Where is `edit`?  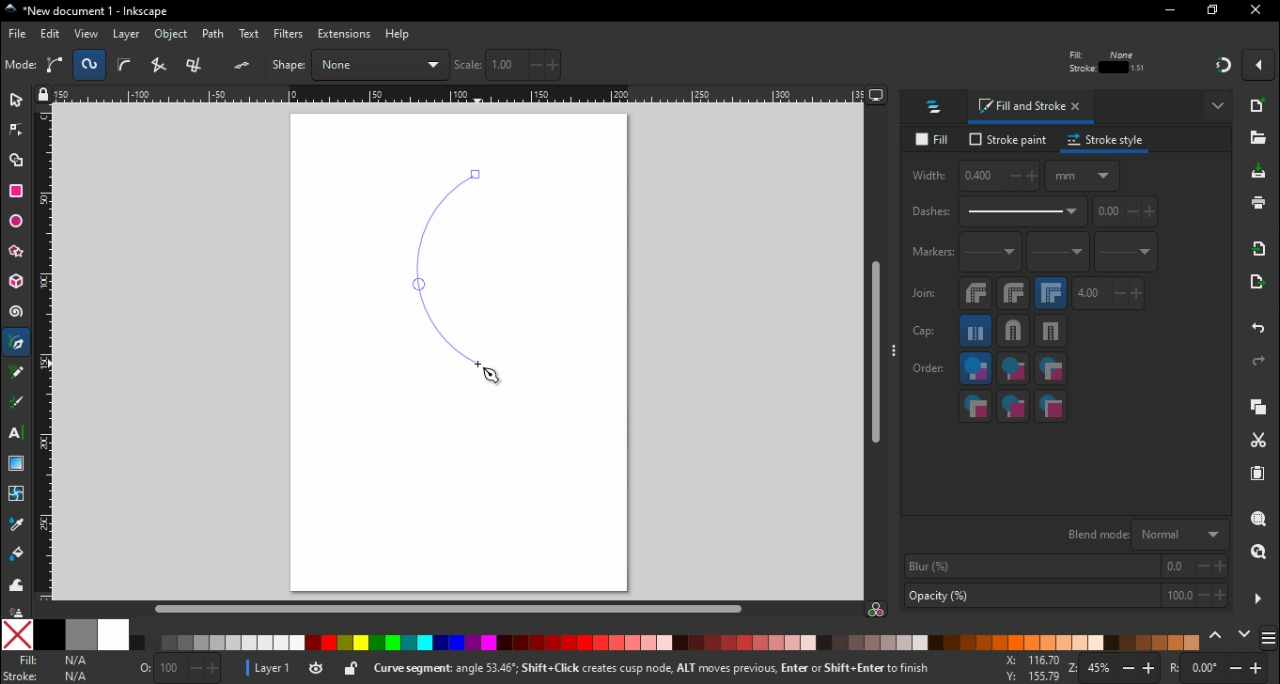 edit is located at coordinates (50, 35).